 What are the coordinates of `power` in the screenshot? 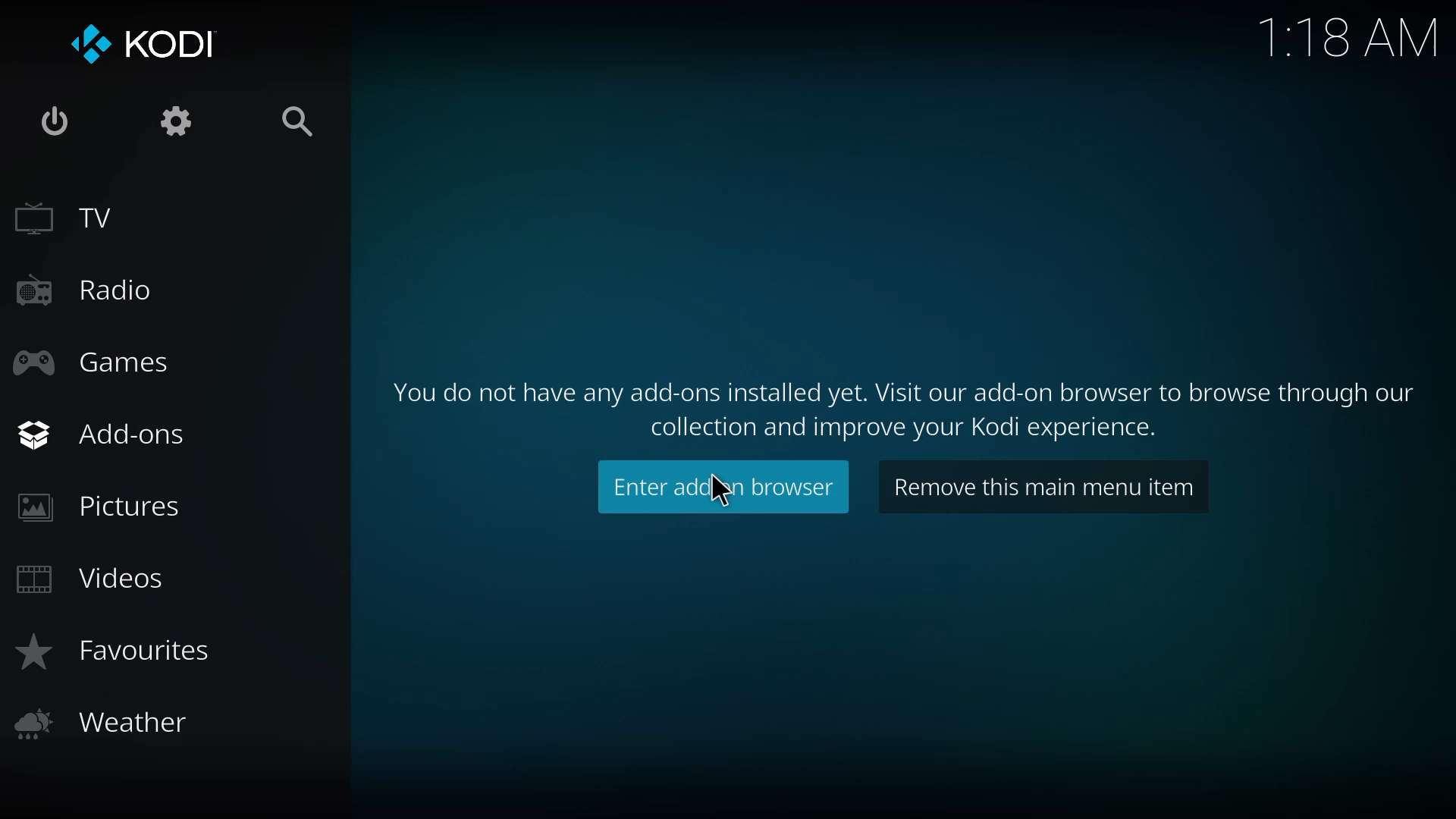 It's located at (55, 123).